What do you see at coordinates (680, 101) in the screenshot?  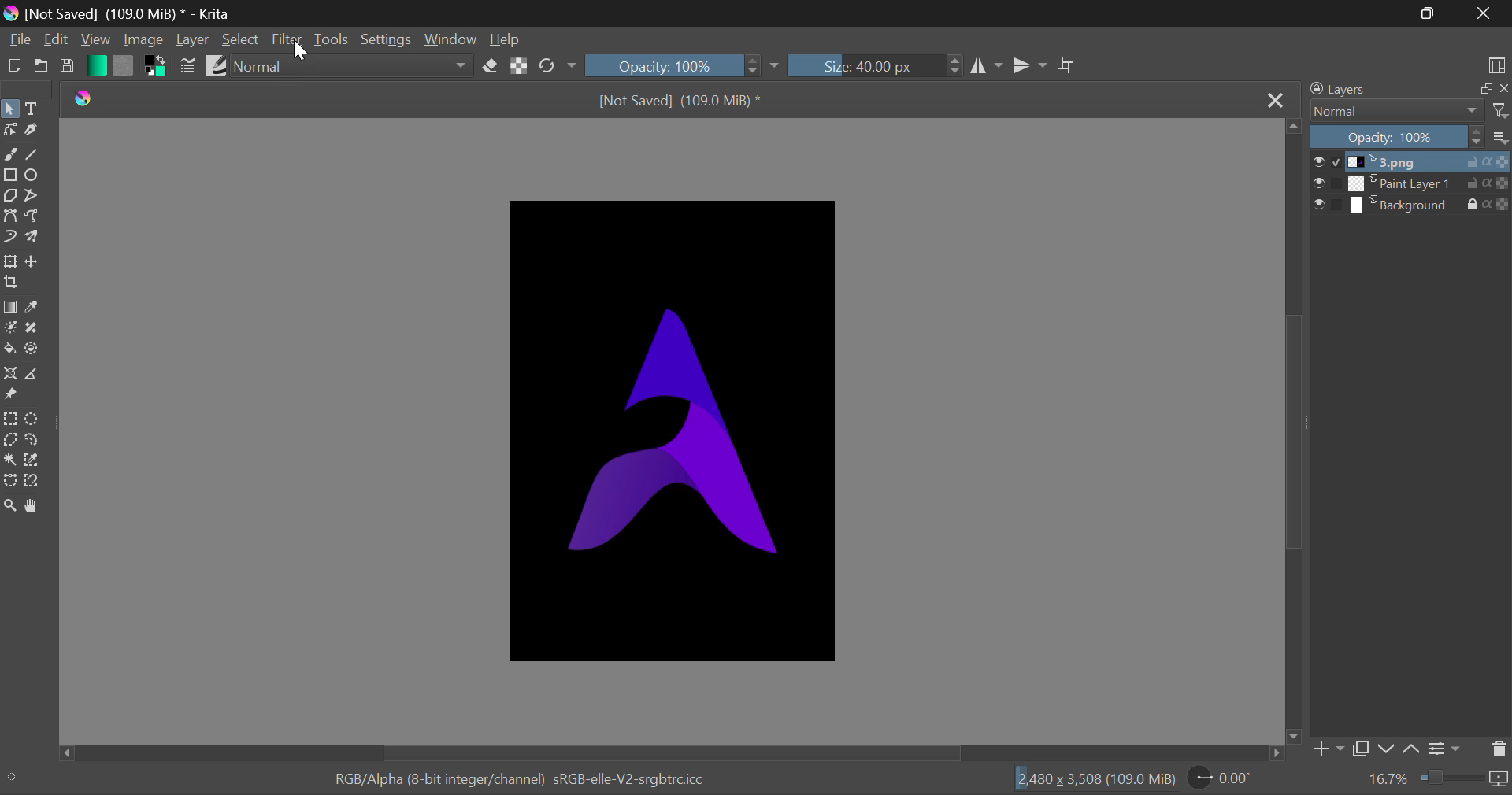 I see `[Not Saved] (109.0 MiB) *` at bounding box center [680, 101].